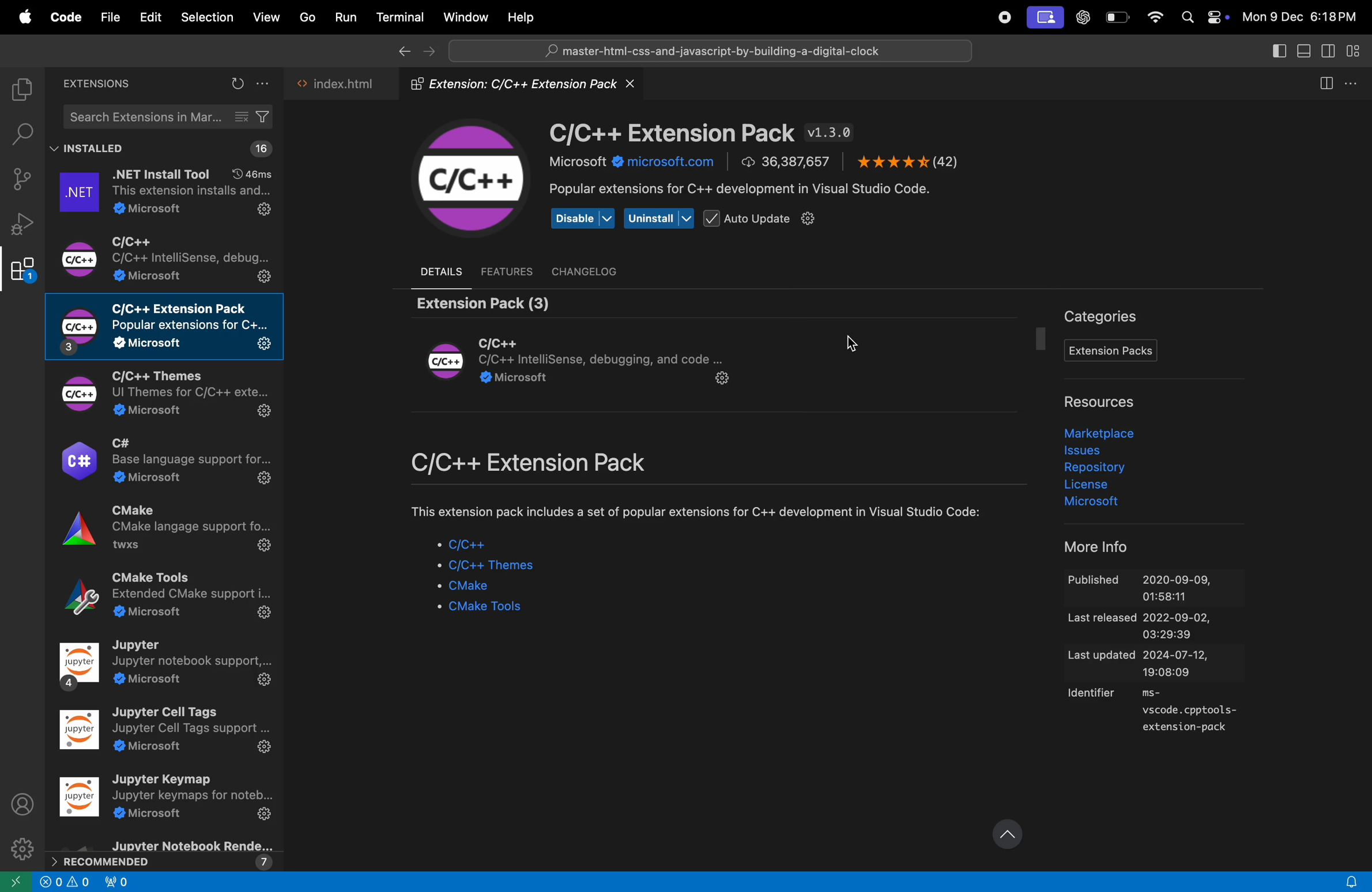 The image size is (1372, 892). What do you see at coordinates (21, 132) in the screenshot?
I see `search bar` at bounding box center [21, 132].